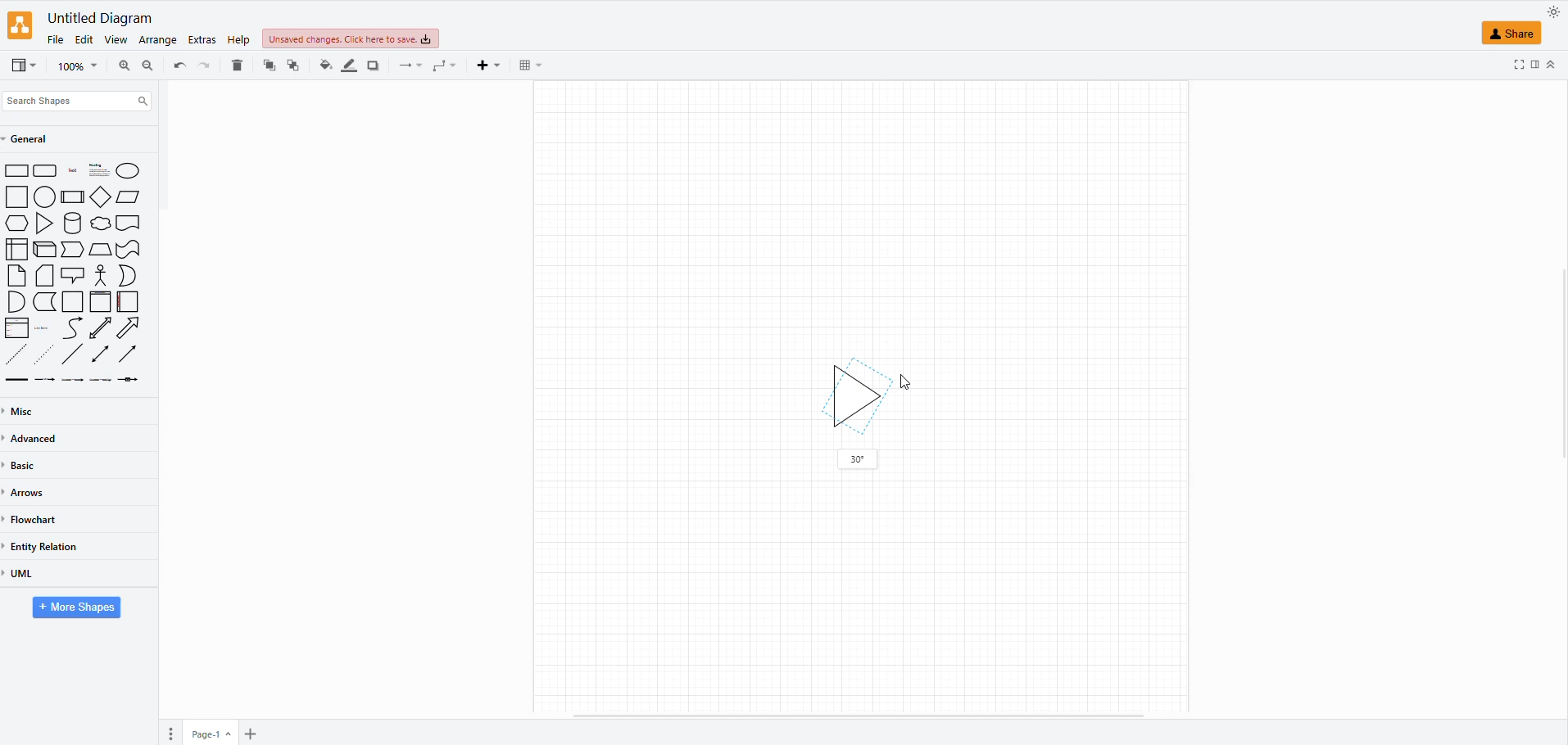  Describe the element at coordinates (347, 40) in the screenshot. I see `unsaved changes` at that location.